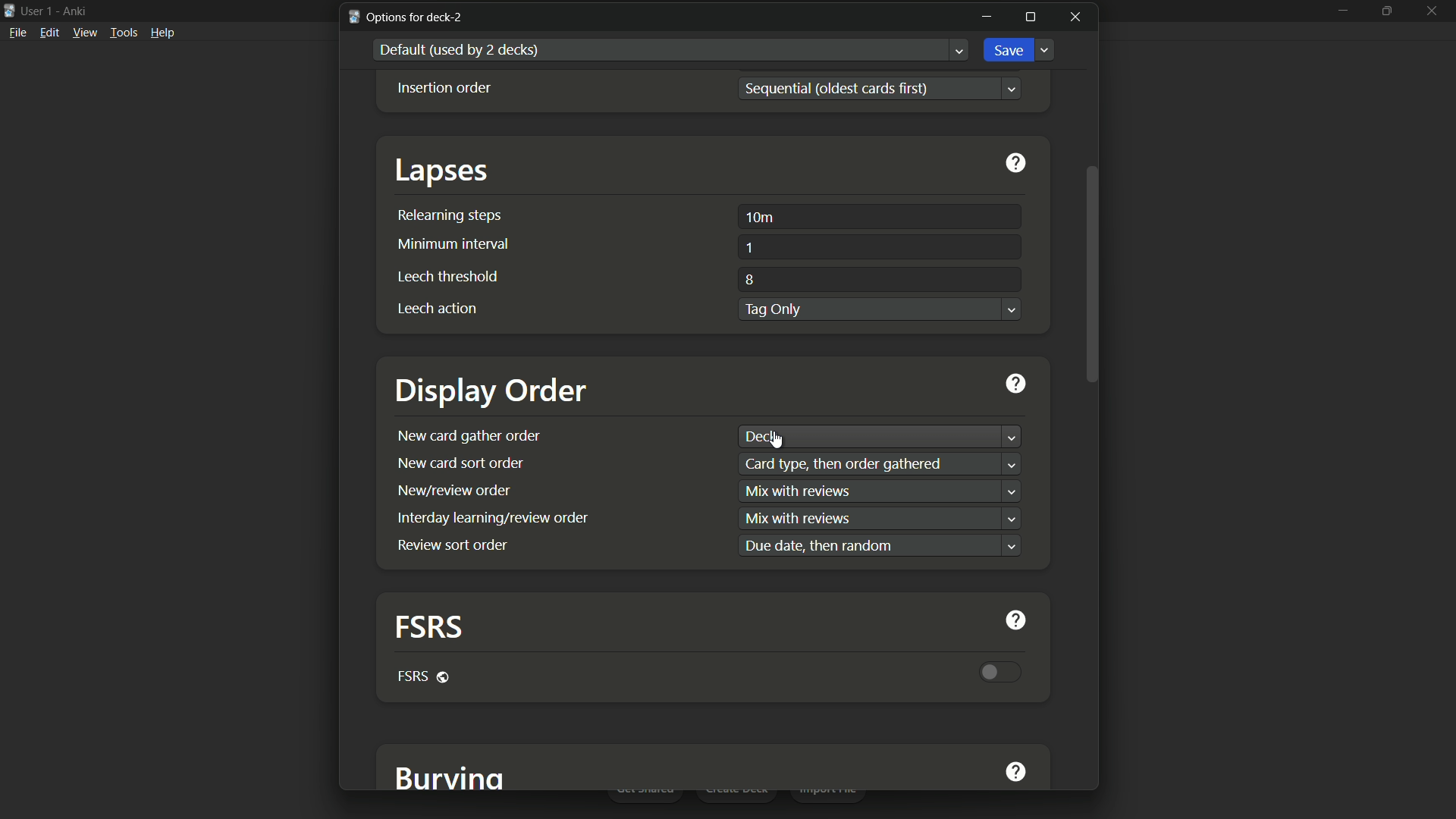 This screenshot has height=819, width=1456. What do you see at coordinates (1031, 18) in the screenshot?
I see `maximize` at bounding box center [1031, 18].